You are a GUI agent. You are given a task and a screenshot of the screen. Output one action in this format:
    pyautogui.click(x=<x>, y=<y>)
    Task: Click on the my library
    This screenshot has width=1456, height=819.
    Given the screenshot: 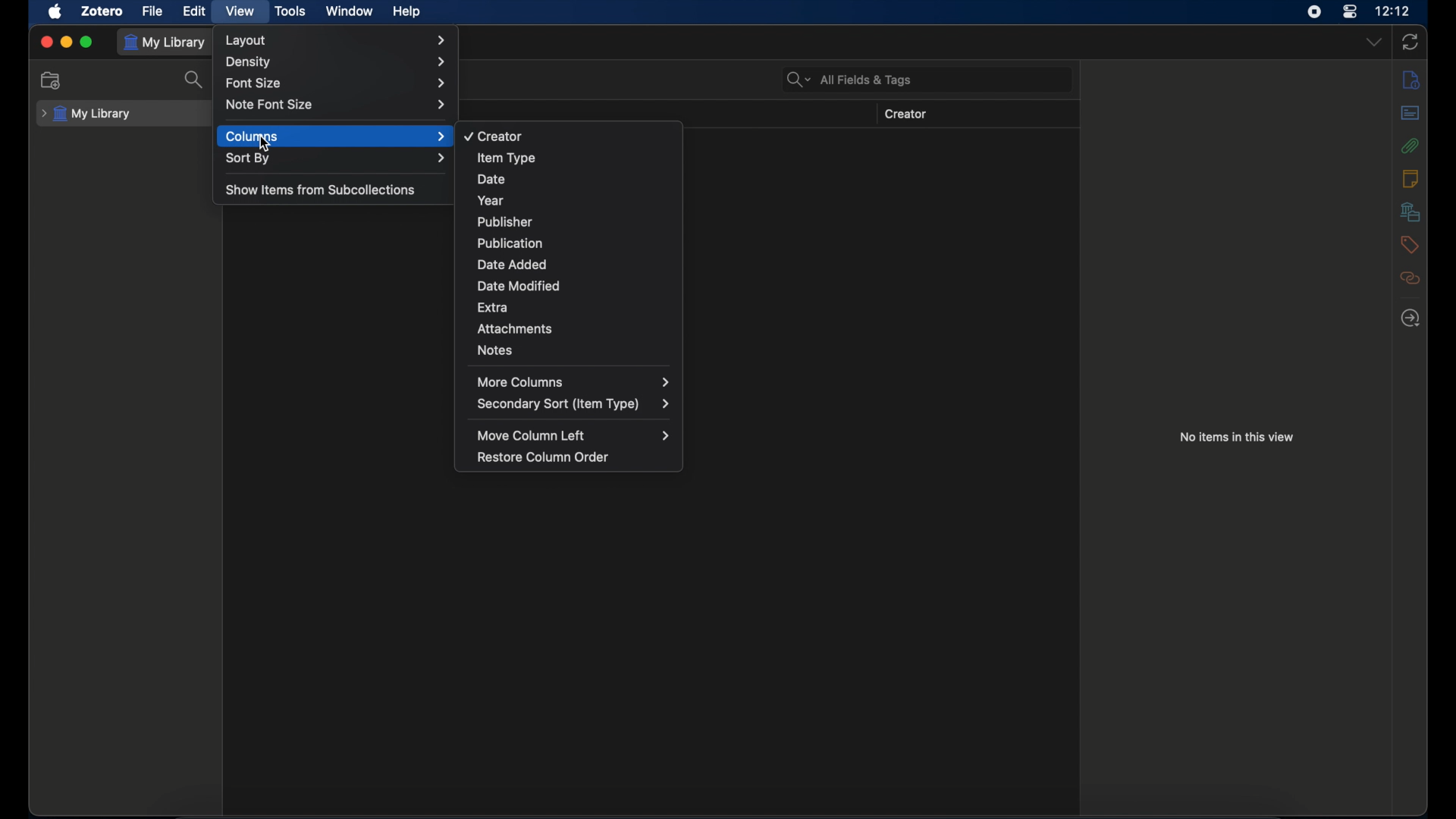 What is the action you would take?
    pyautogui.click(x=86, y=115)
    